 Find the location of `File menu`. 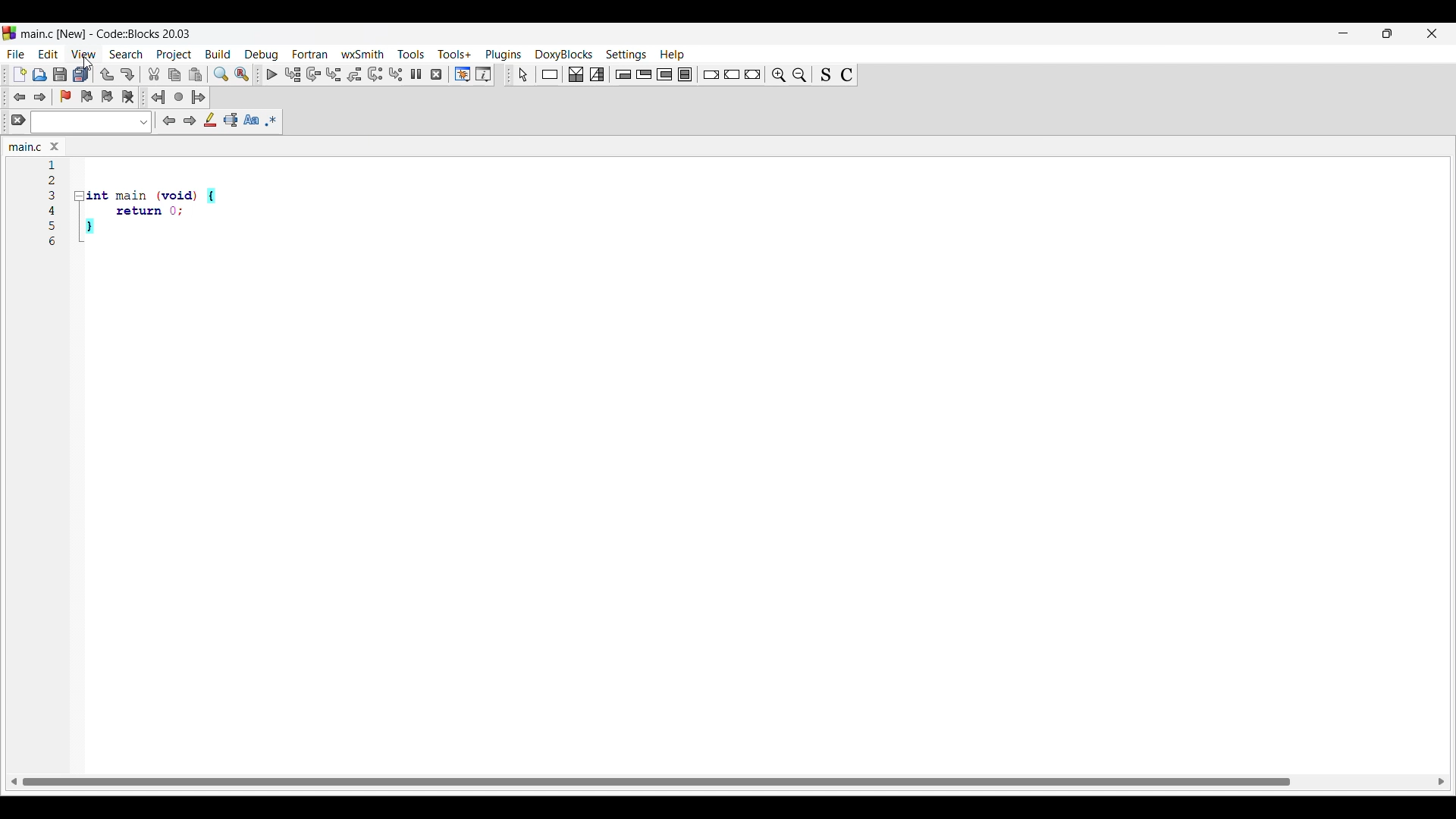

File menu is located at coordinates (14, 54).